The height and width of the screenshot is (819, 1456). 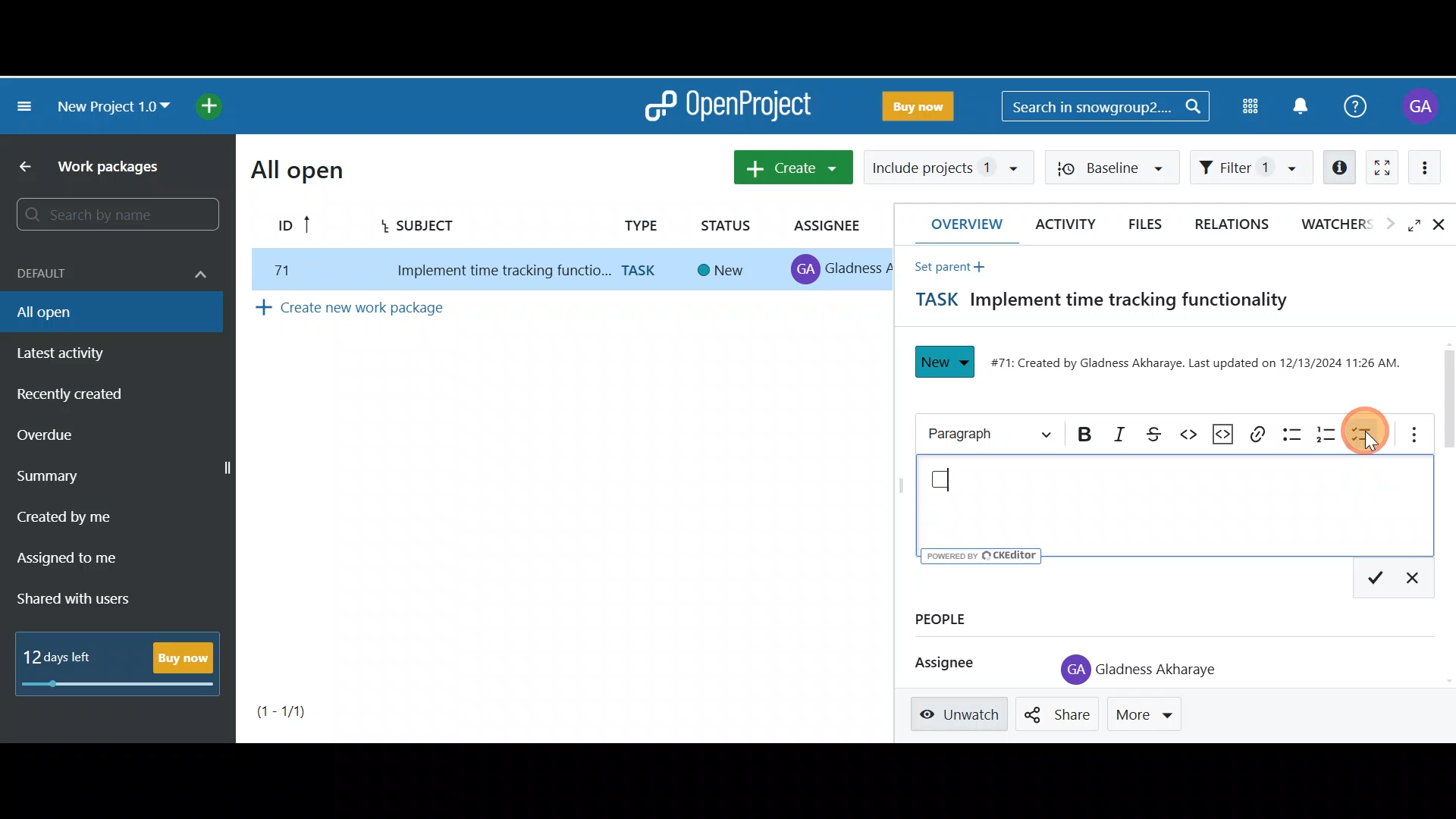 What do you see at coordinates (727, 222) in the screenshot?
I see `Status` at bounding box center [727, 222].